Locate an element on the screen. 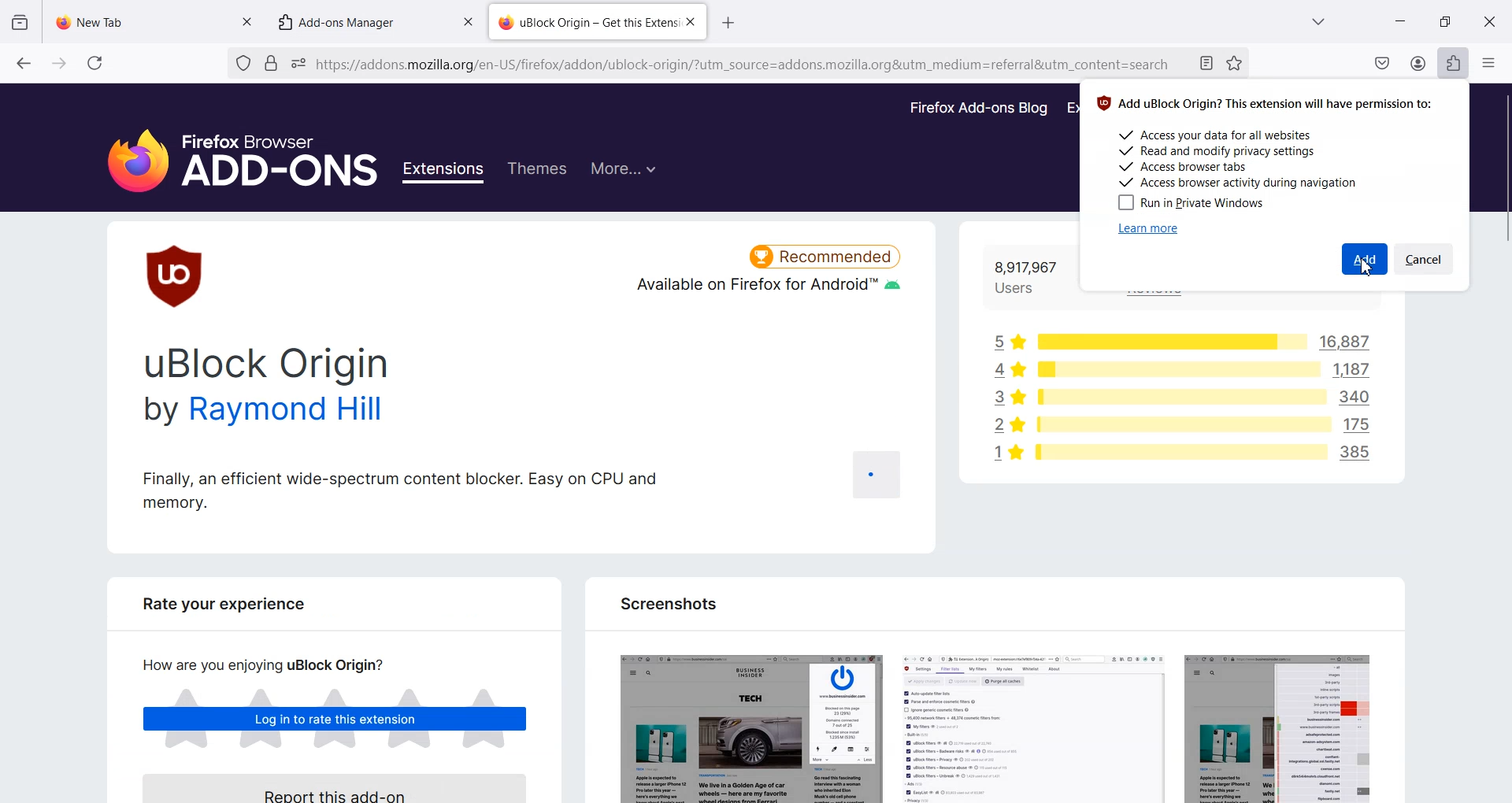  cursor is located at coordinates (1362, 268).